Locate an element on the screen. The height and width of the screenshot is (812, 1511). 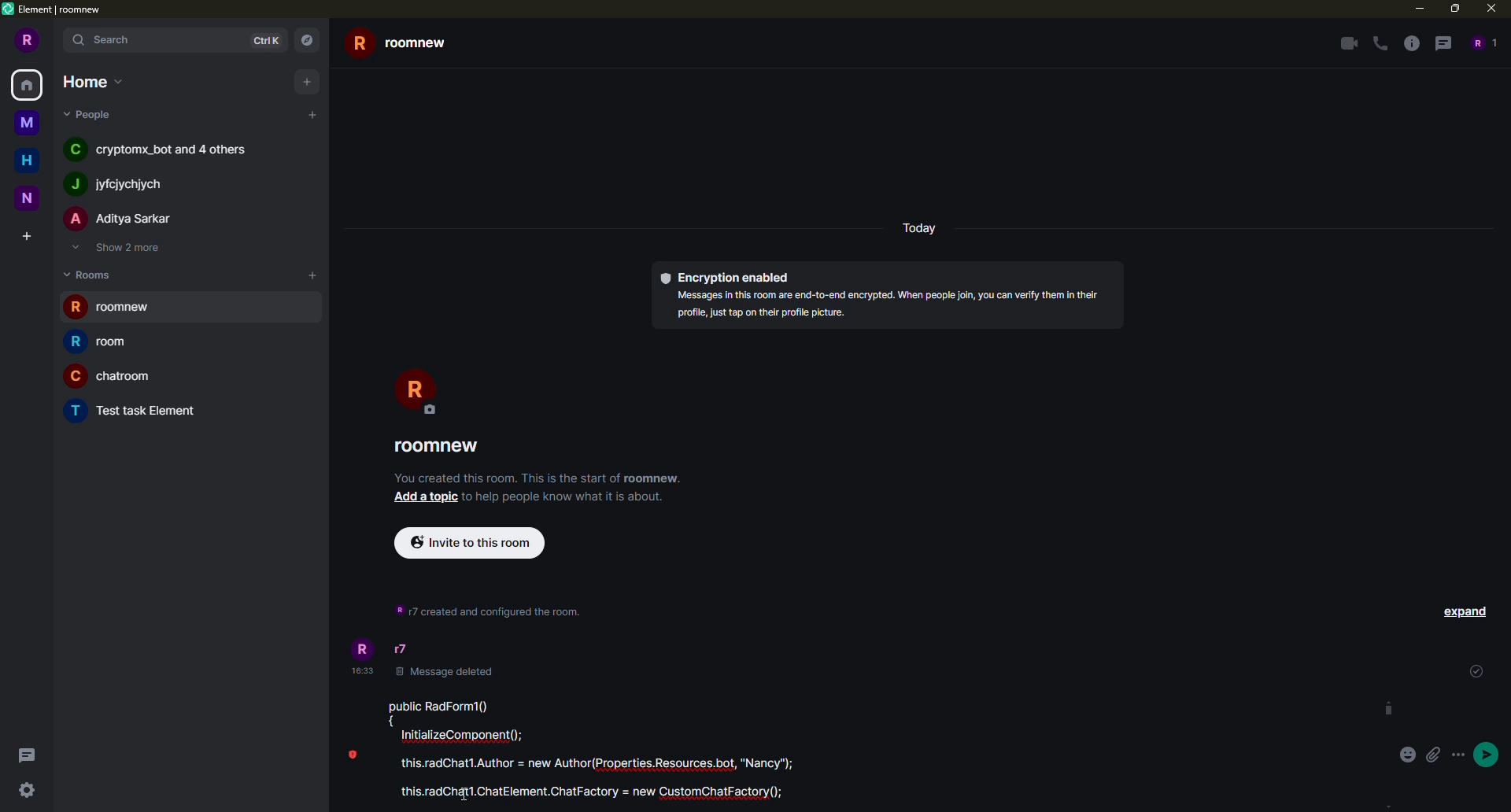
ctrlk is located at coordinates (267, 40).